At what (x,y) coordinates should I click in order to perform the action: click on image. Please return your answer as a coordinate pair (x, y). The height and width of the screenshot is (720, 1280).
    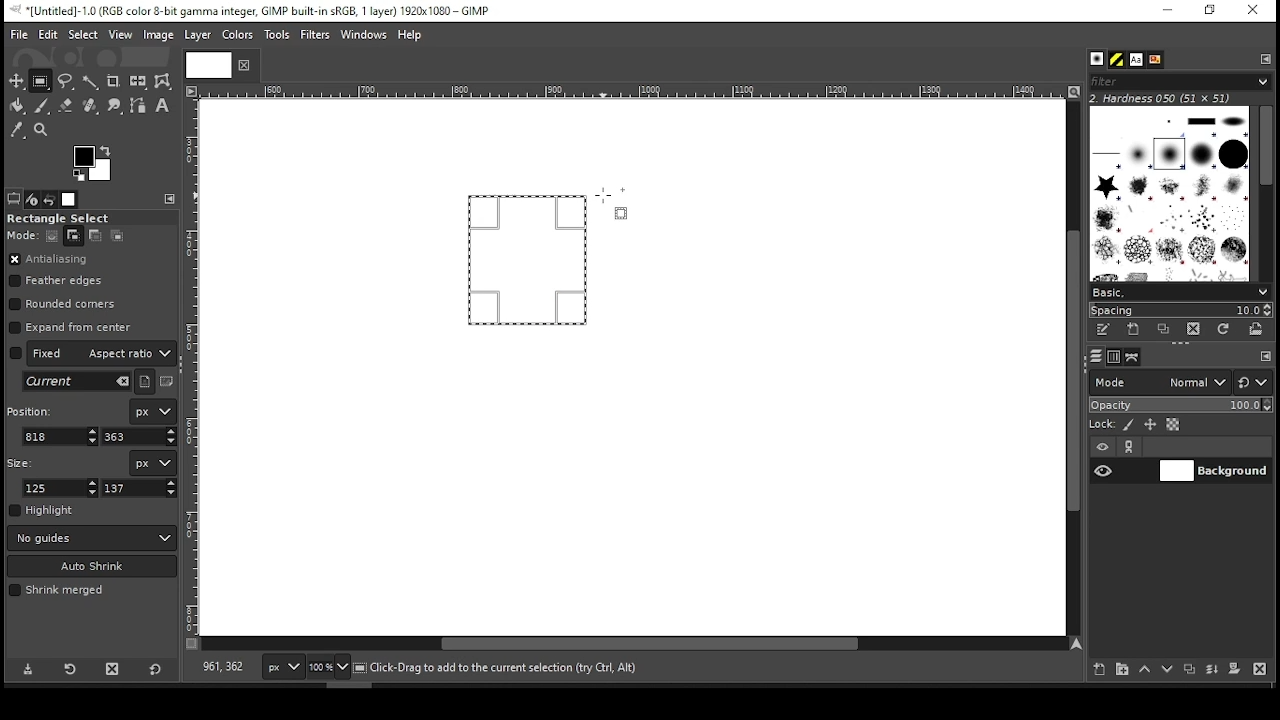
    Looking at the image, I should click on (157, 35).